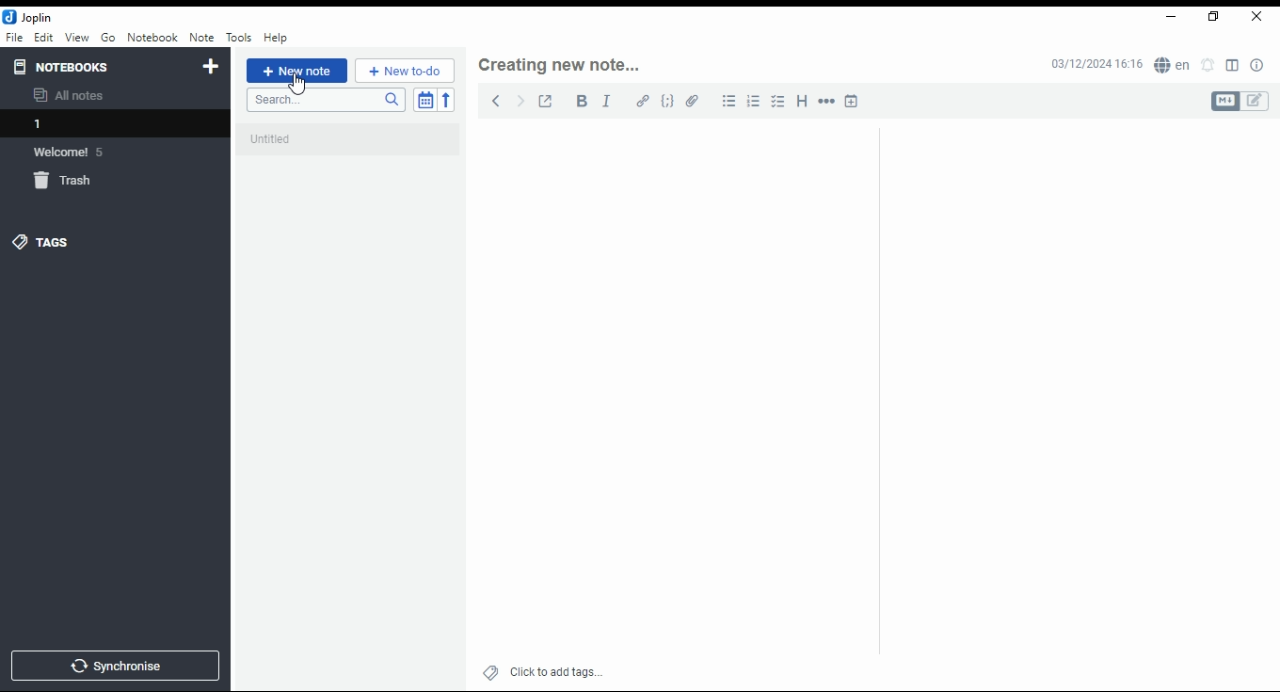 Image resolution: width=1280 pixels, height=692 pixels. What do you see at coordinates (43, 36) in the screenshot?
I see `edit` at bounding box center [43, 36].